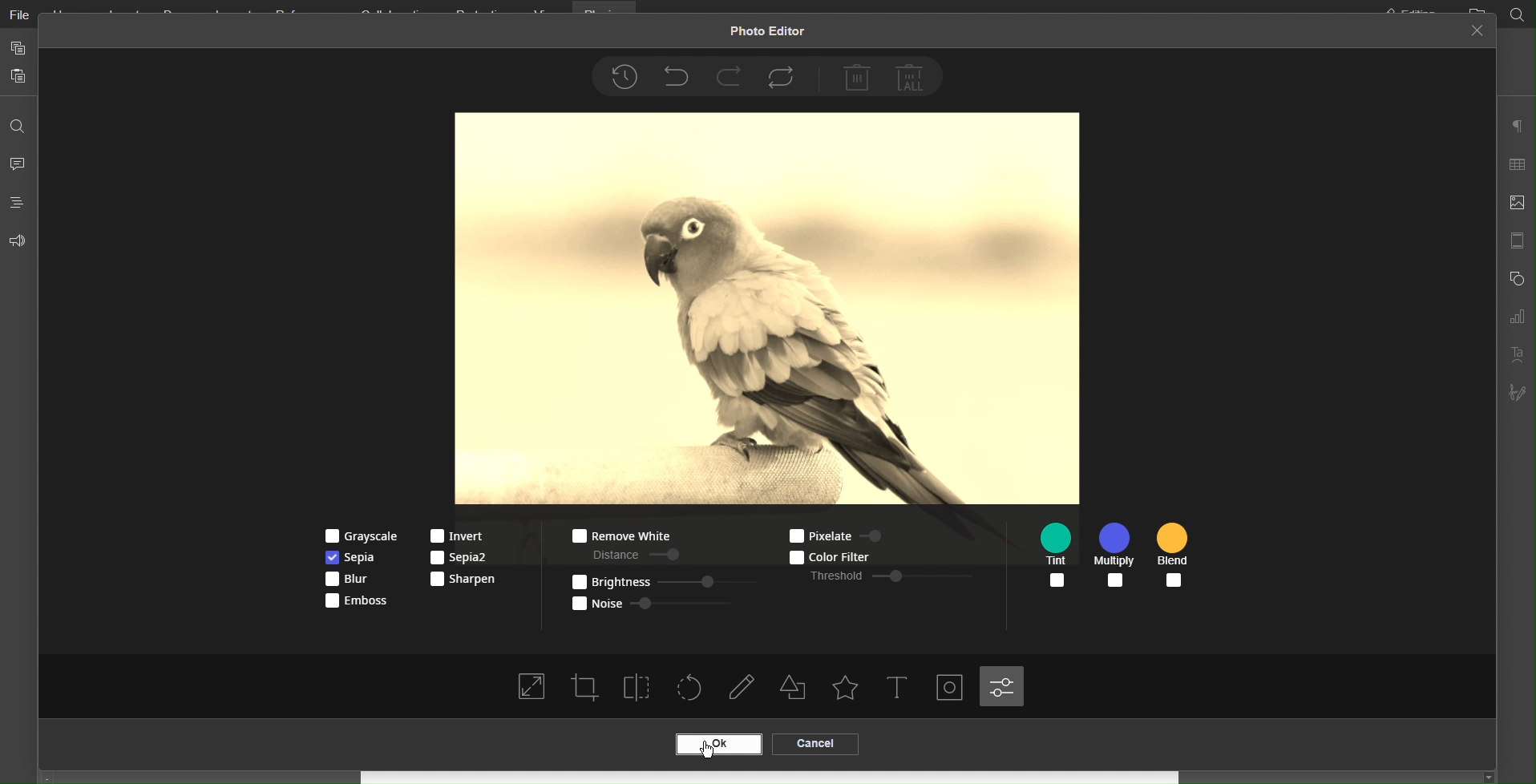 The width and height of the screenshot is (1536, 784). Describe the element at coordinates (655, 601) in the screenshot. I see `Noise` at that location.